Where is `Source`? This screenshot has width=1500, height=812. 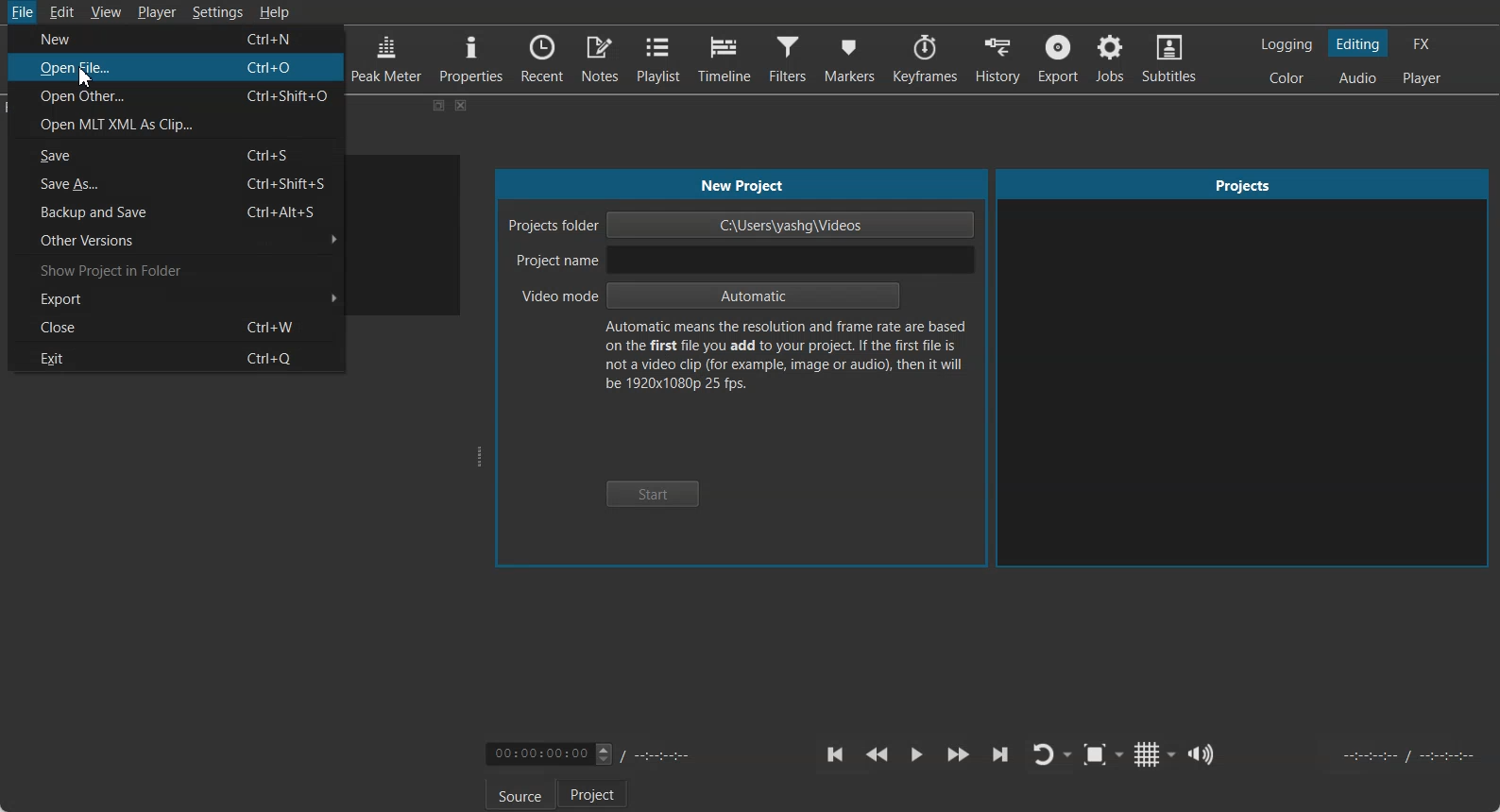 Source is located at coordinates (516, 795).